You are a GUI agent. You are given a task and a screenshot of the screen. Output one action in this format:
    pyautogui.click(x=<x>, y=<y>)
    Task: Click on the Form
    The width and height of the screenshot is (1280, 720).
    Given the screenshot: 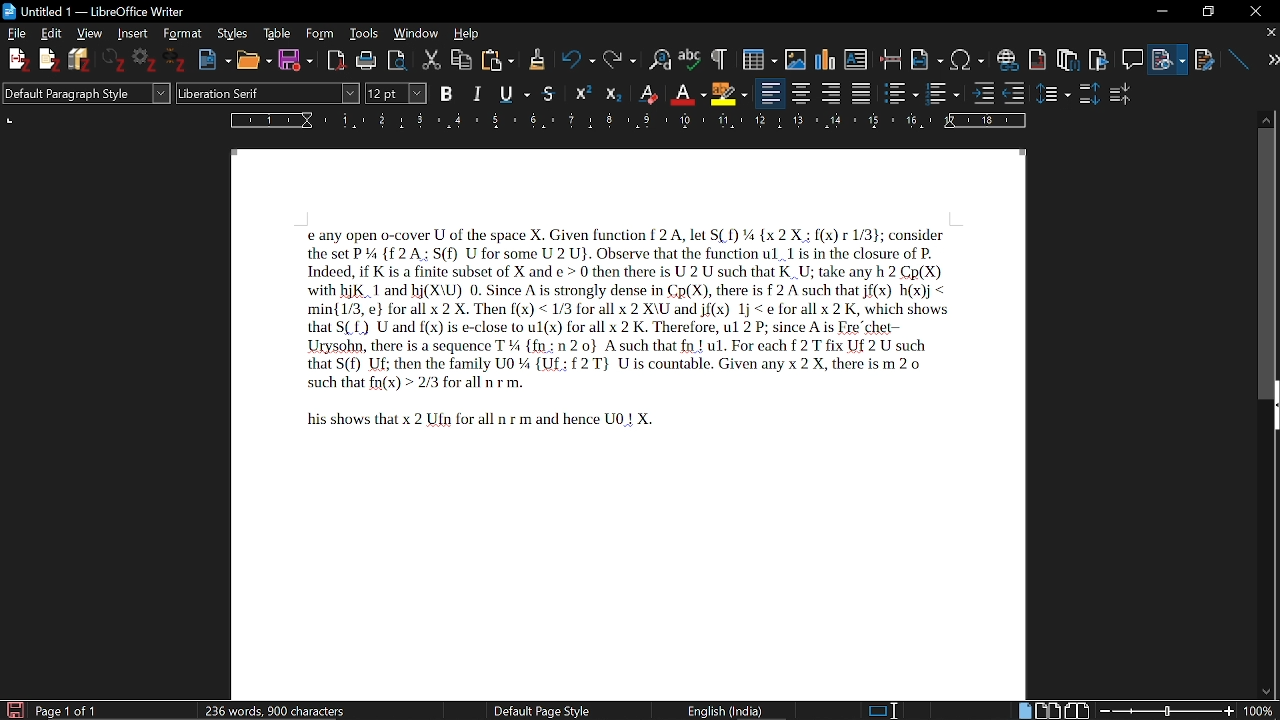 What is the action you would take?
    pyautogui.click(x=319, y=33)
    